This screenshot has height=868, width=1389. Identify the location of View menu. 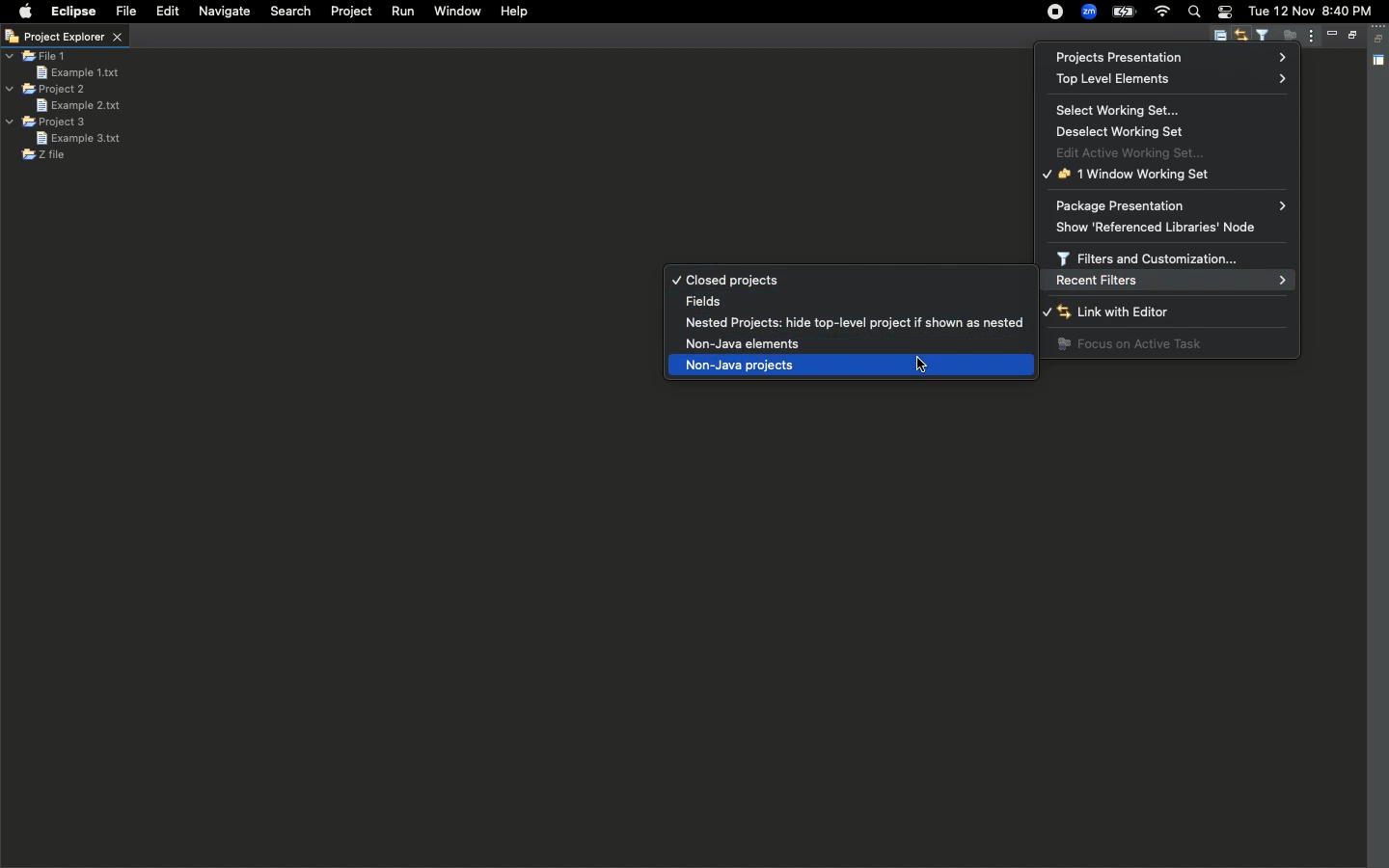
(1309, 37).